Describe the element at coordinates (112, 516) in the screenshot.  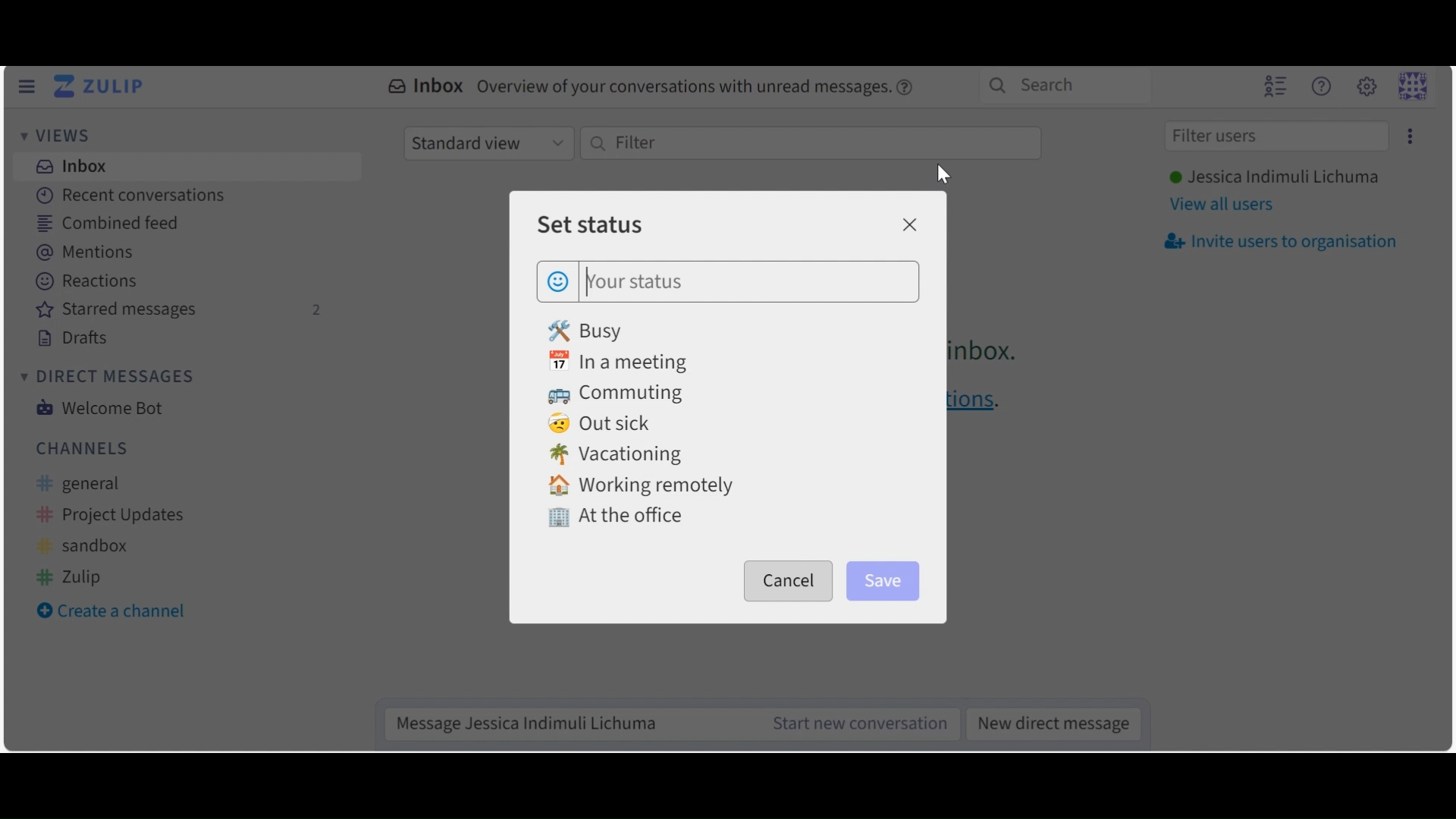
I see `project updates` at that location.